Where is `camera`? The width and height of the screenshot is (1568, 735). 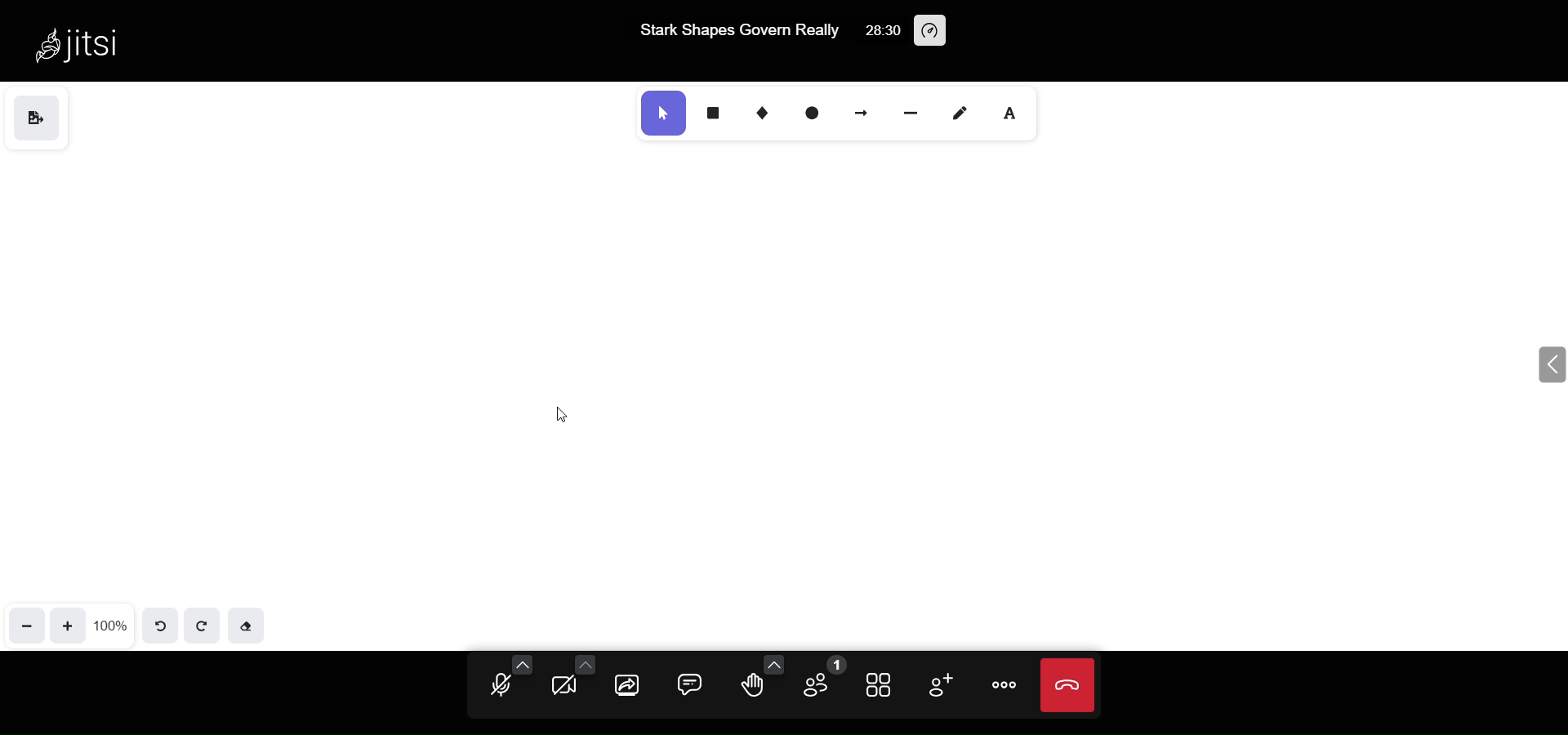
camera is located at coordinates (565, 687).